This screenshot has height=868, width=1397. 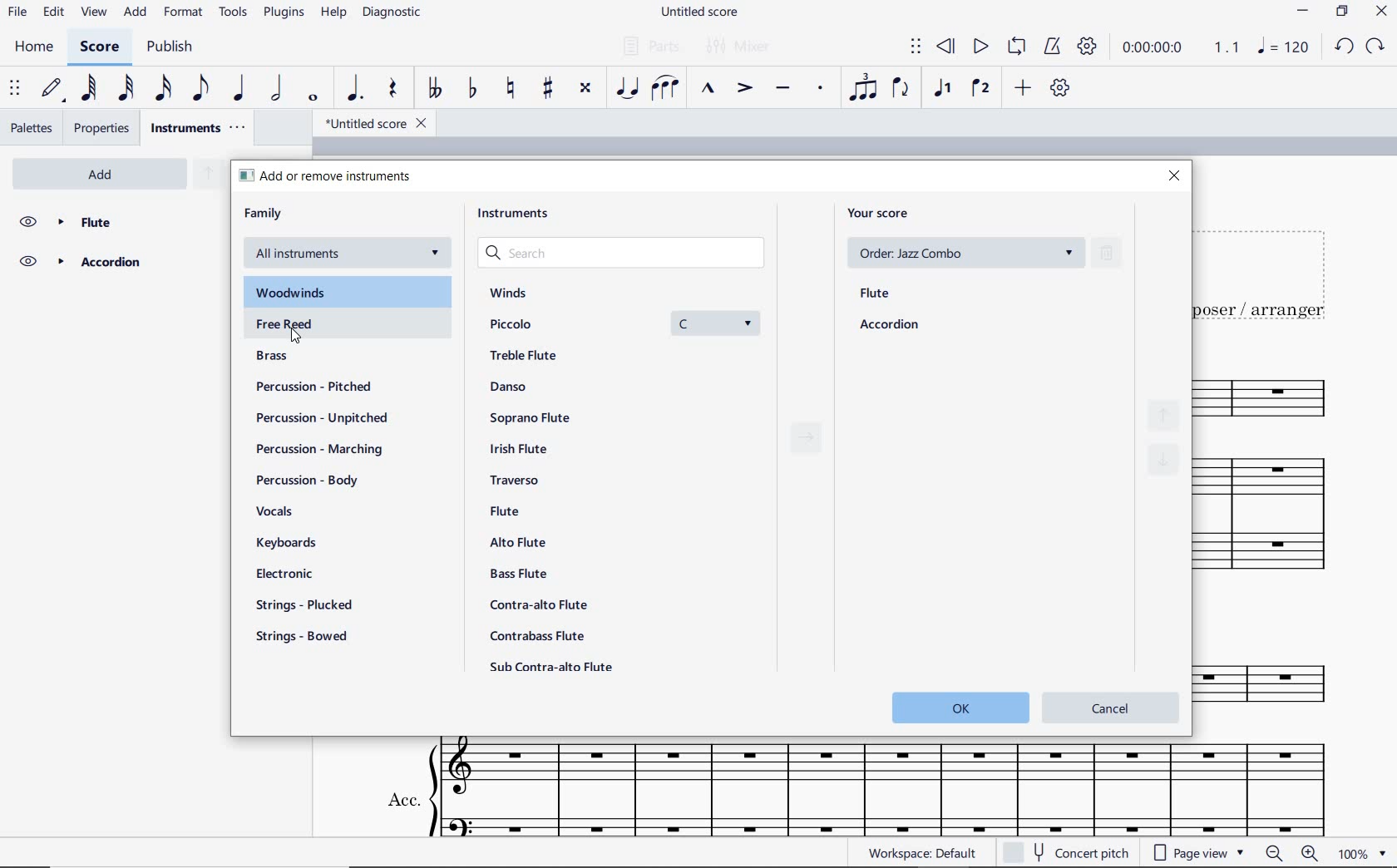 What do you see at coordinates (311, 98) in the screenshot?
I see `whole note` at bounding box center [311, 98].